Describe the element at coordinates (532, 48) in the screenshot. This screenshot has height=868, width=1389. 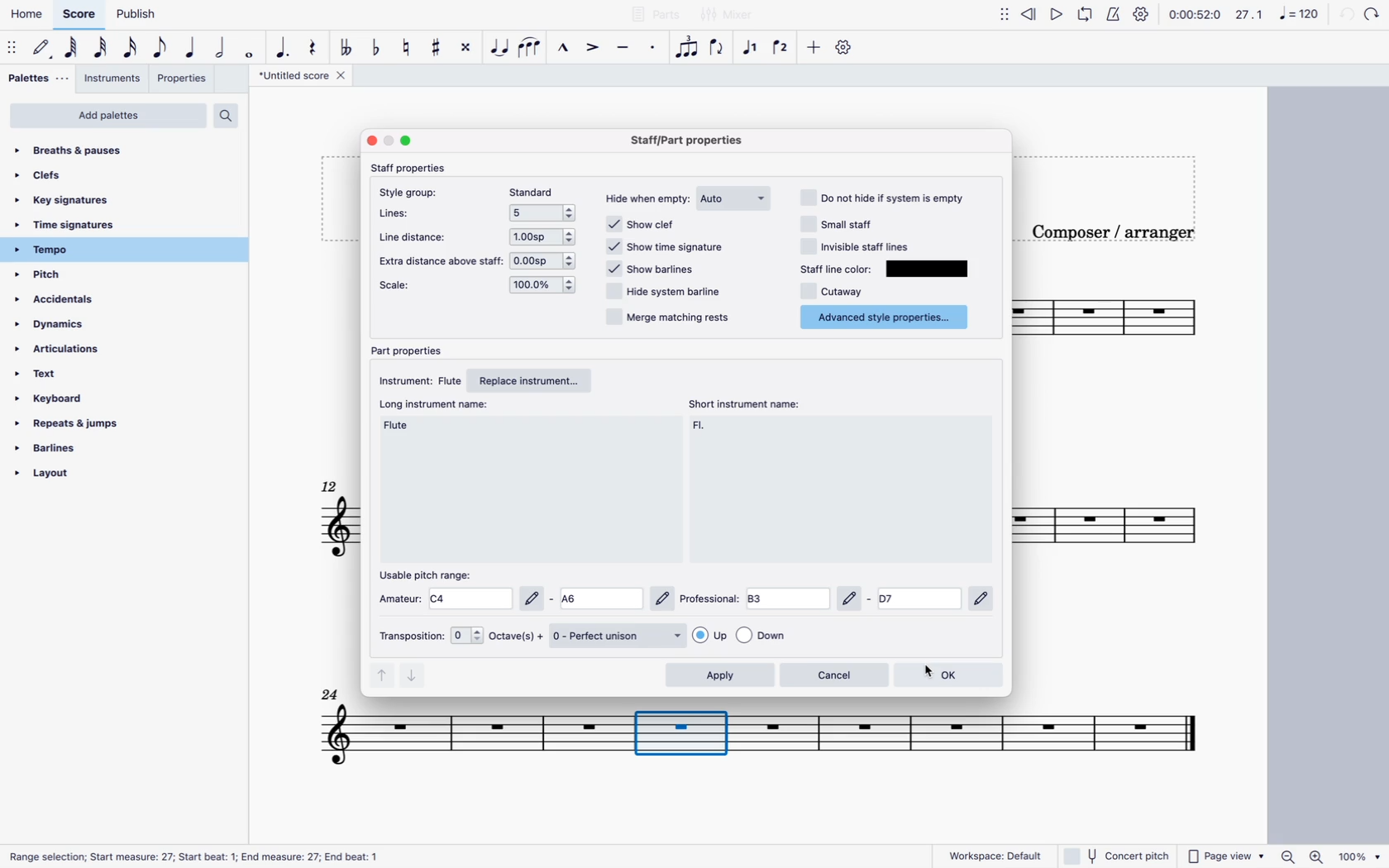
I see `slur` at that location.